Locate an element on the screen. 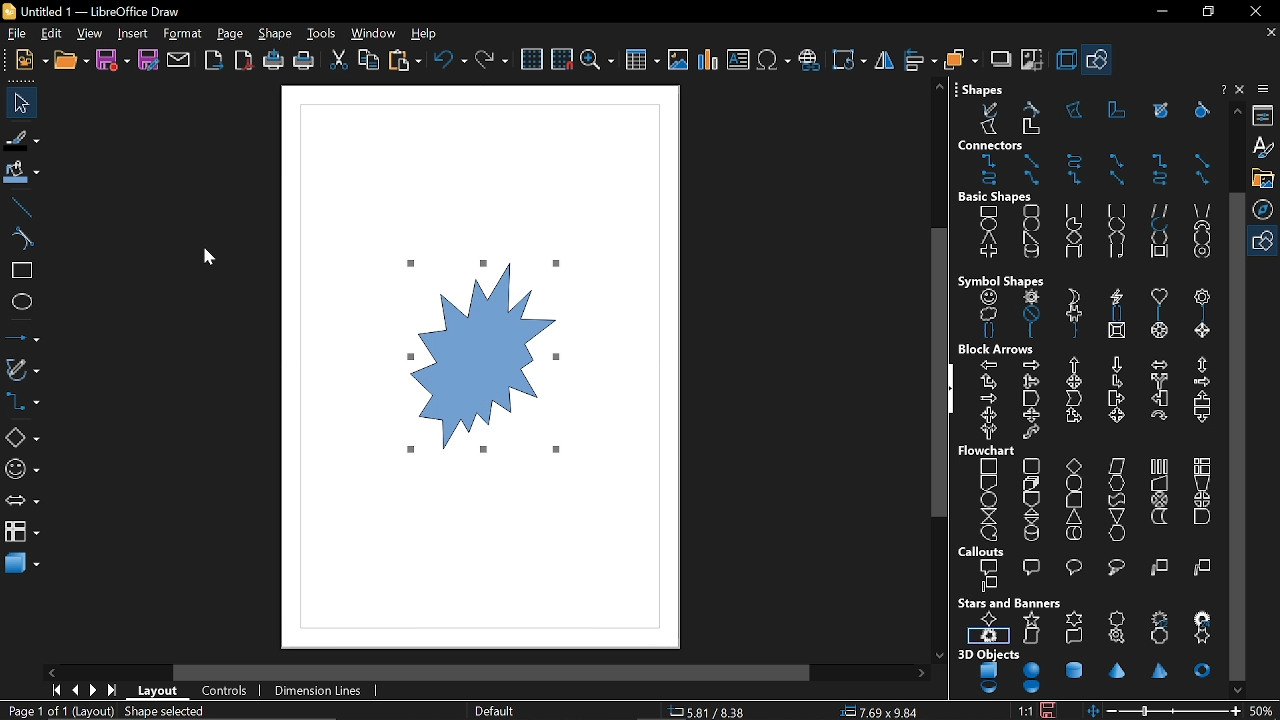 This screenshot has height=720, width=1280. controls is located at coordinates (229, 691).